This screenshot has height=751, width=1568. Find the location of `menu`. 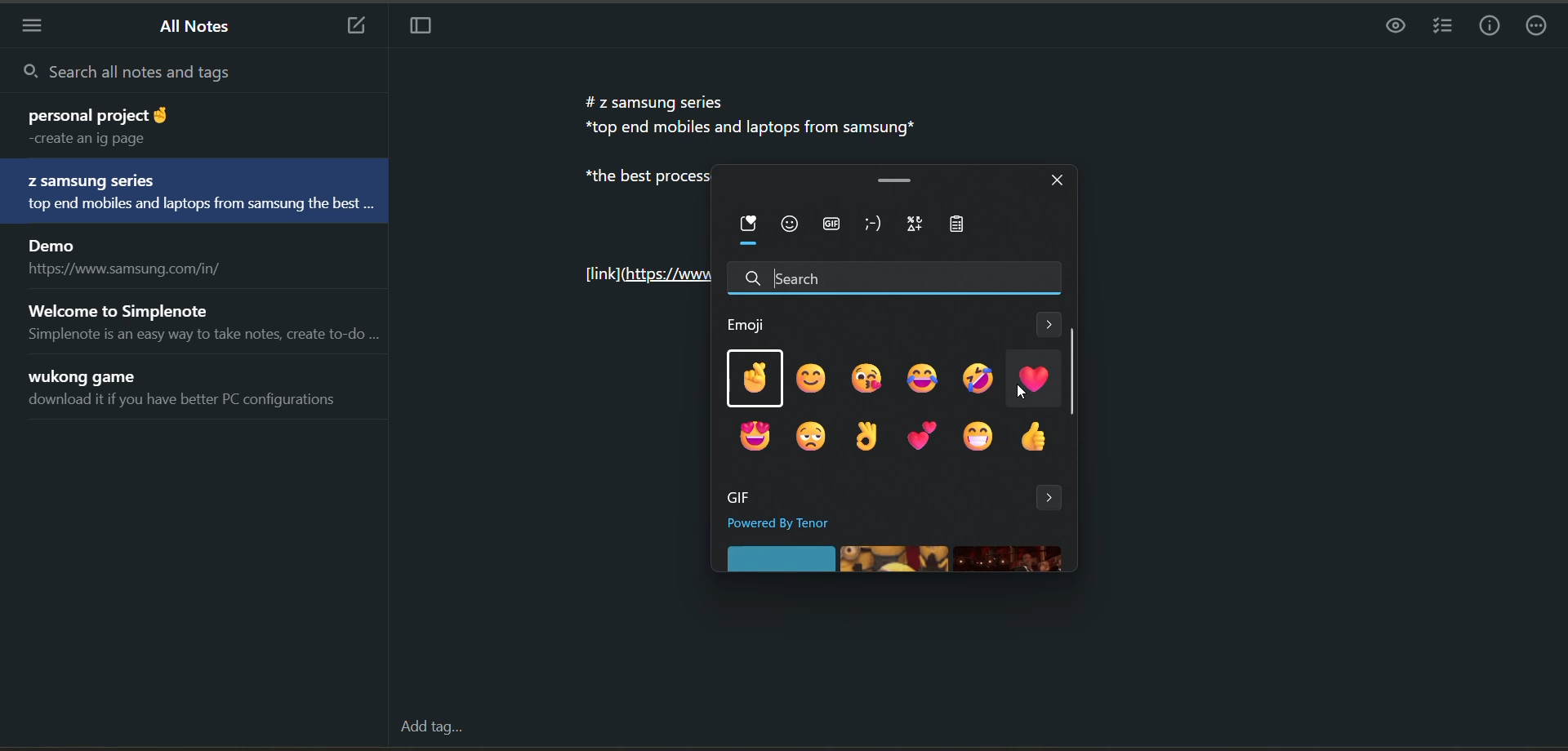

menu is located at coordinates (38, 24).